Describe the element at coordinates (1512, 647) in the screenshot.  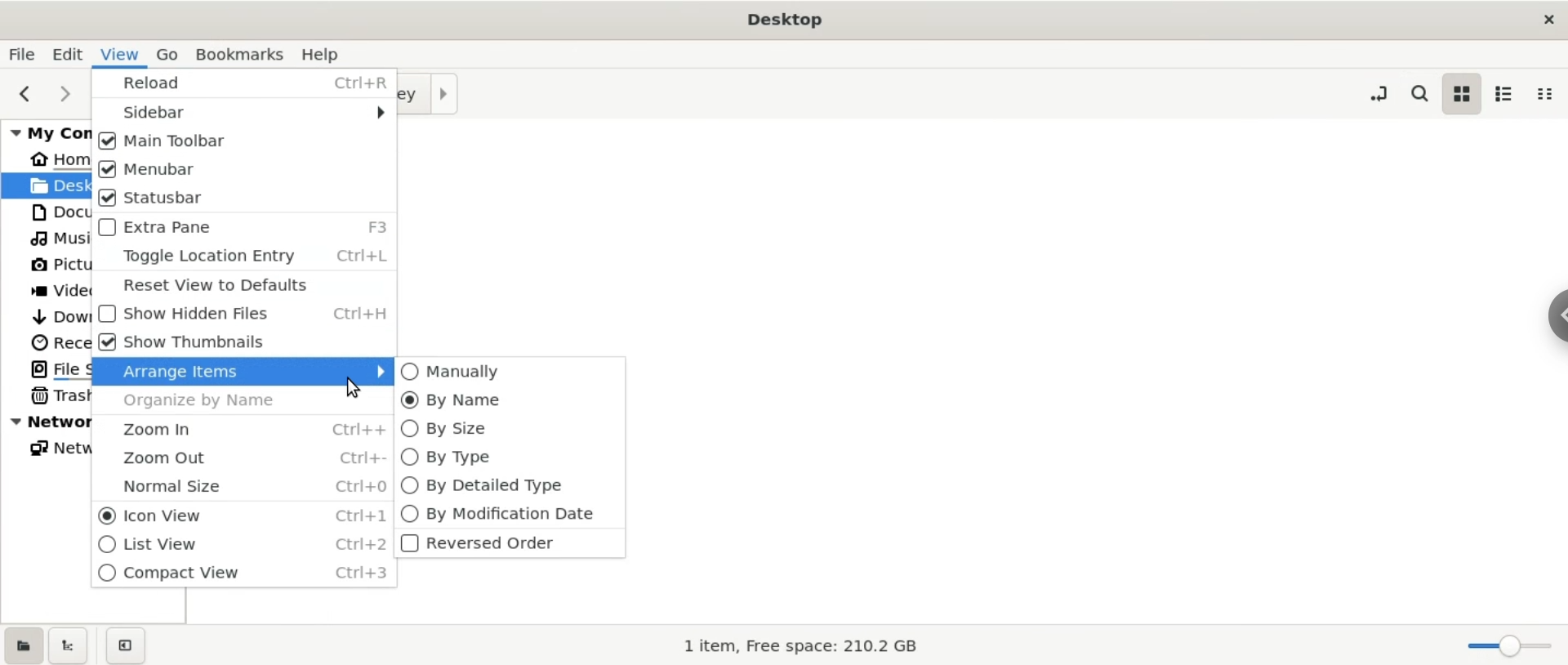
I see `zoom` at that location.